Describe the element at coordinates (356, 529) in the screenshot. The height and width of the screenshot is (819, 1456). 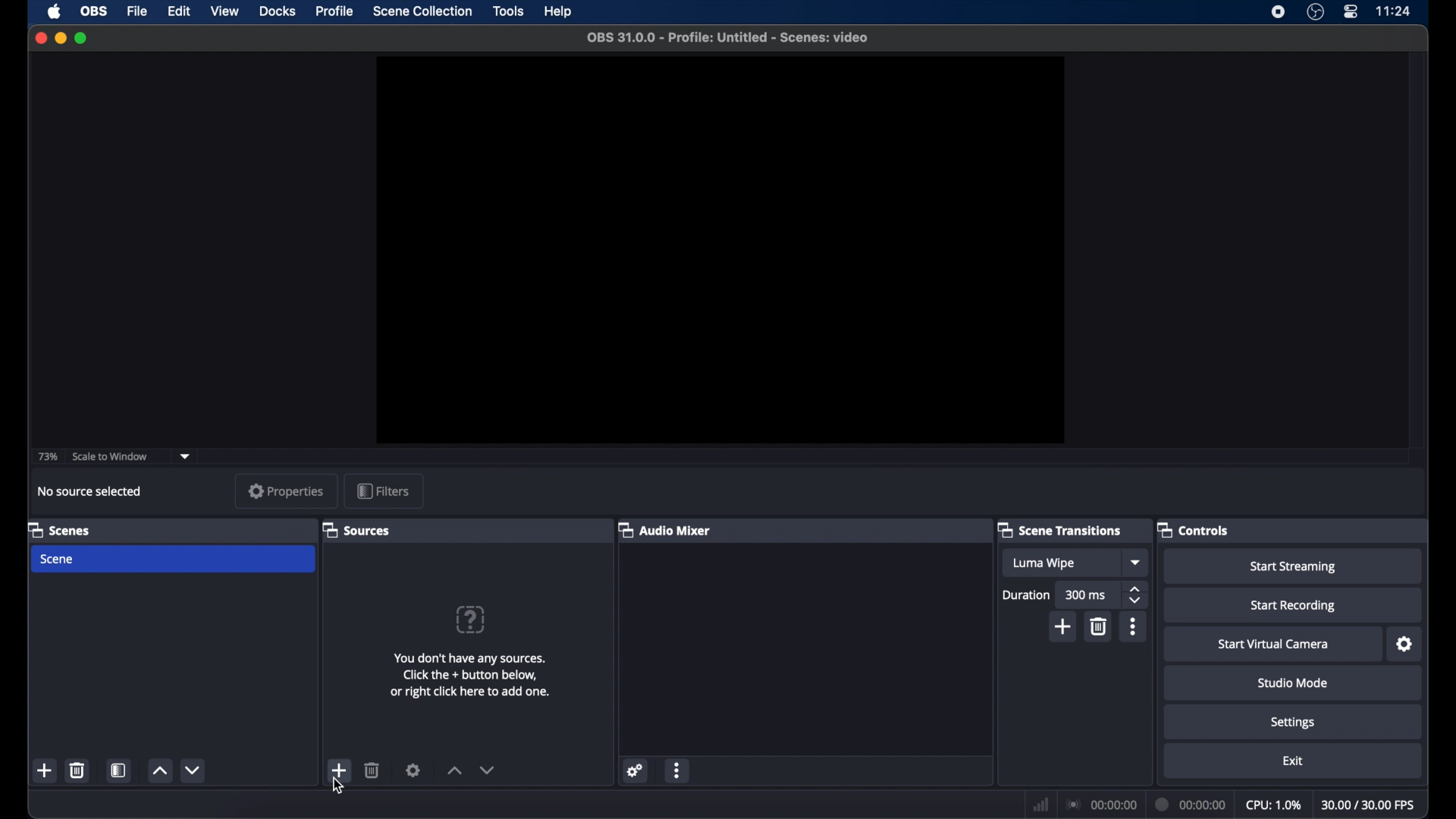
I see `sources` at that location.